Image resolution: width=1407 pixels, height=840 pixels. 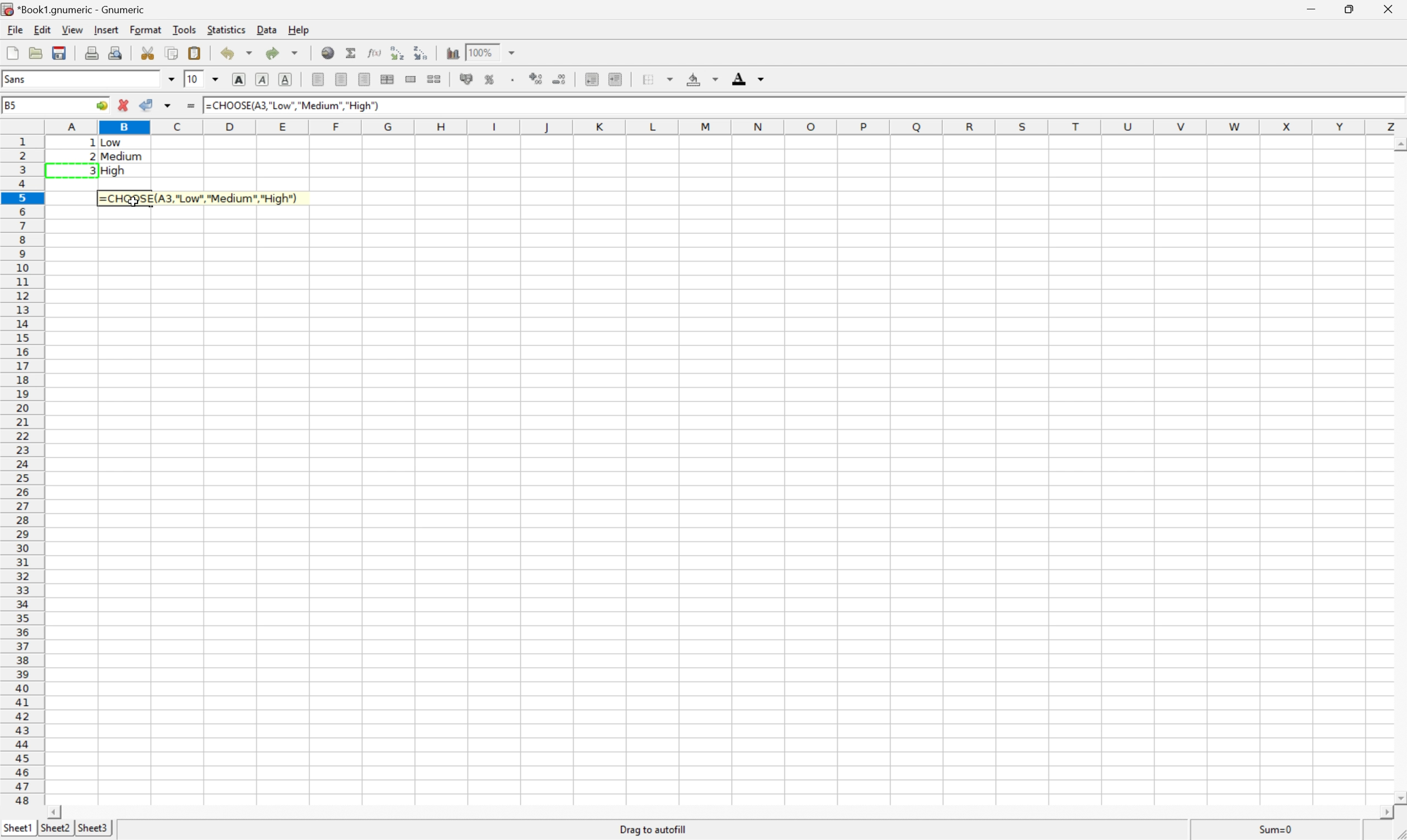 I want to click on Column names, so click(x=723, y=127).